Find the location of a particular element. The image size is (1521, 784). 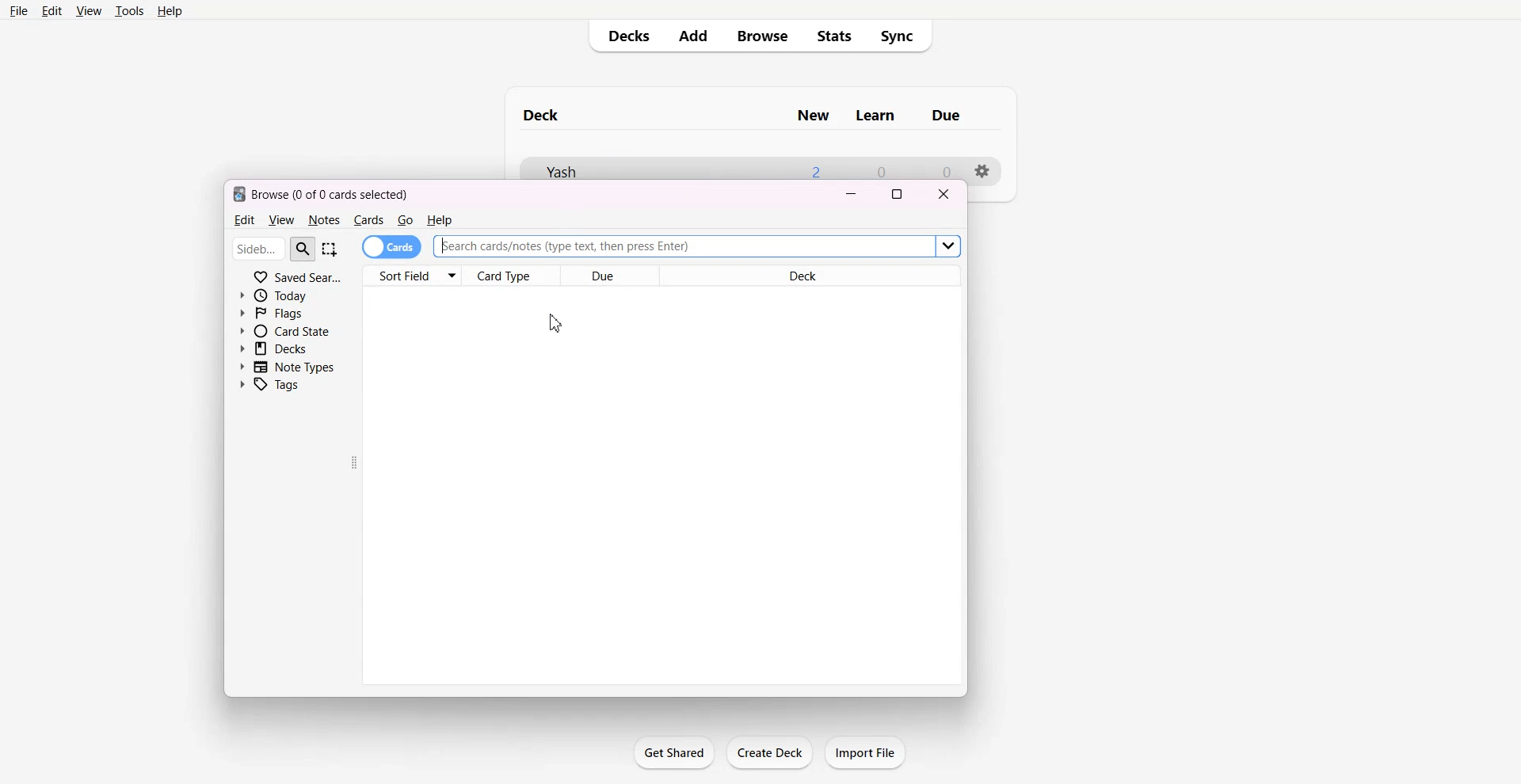

Help is located at coordinates (440, 221).